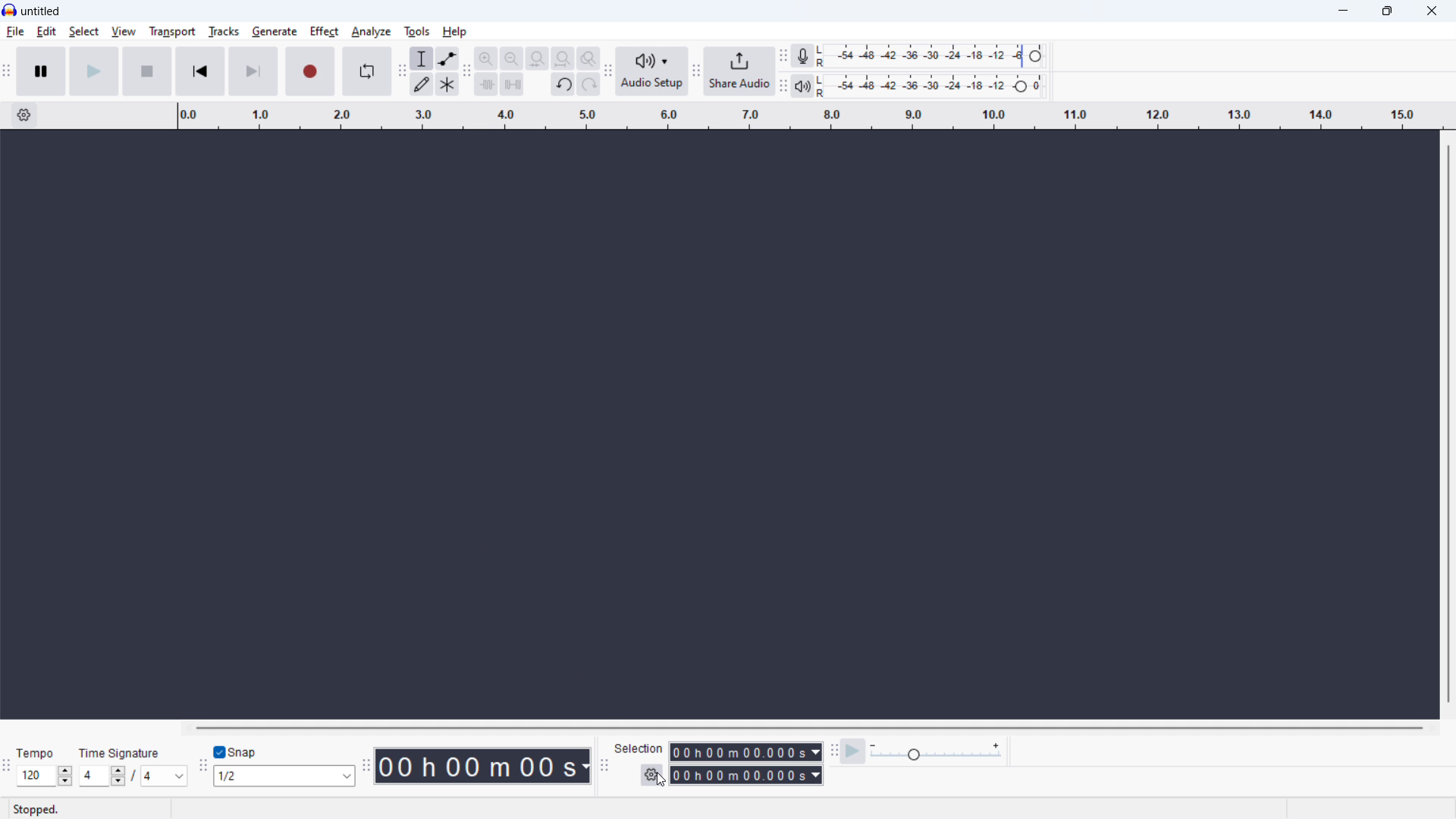  I want to click on audio setup toolbar, so click(608, 73).